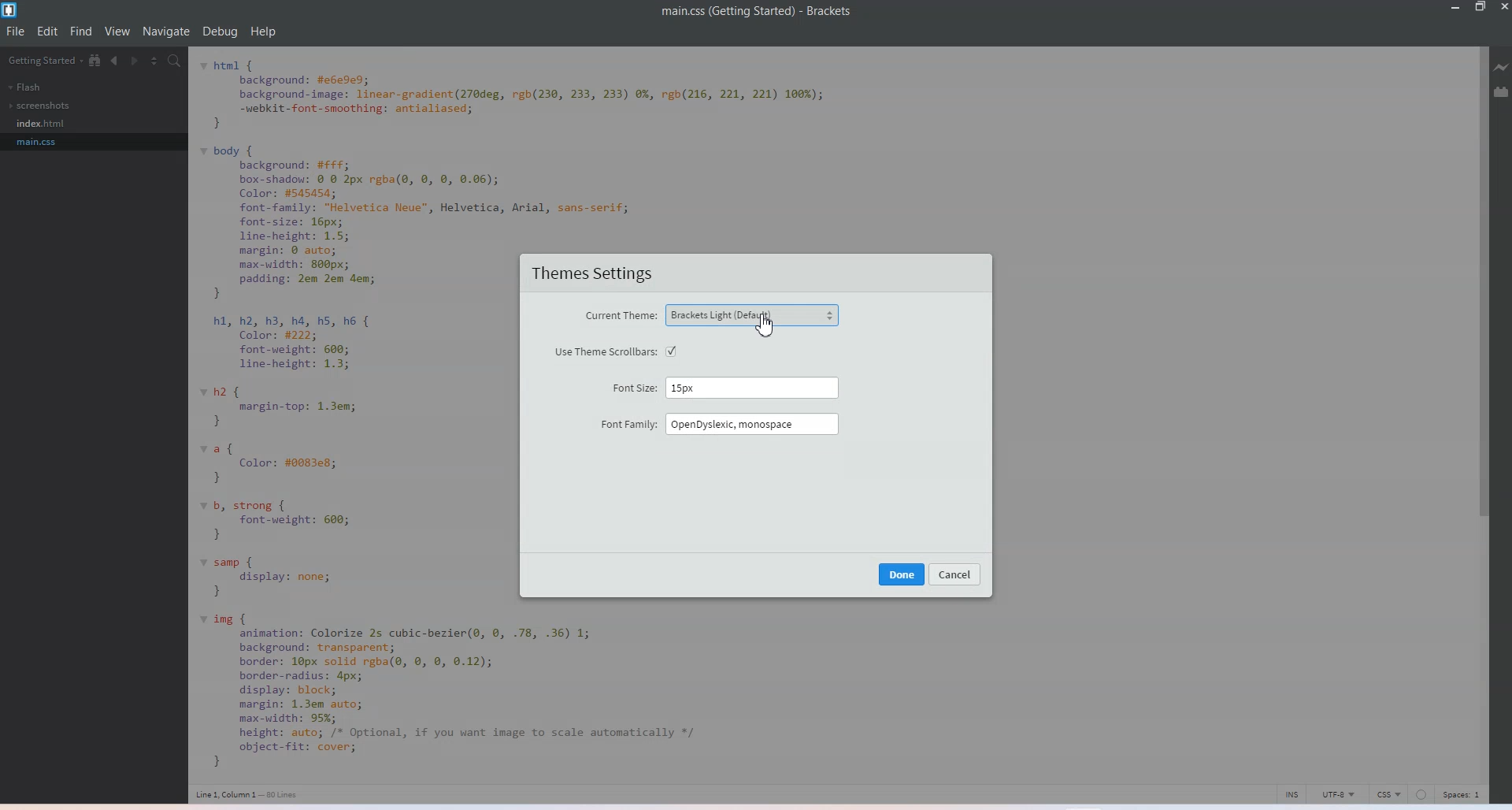  I want to click on Flash, so click(24, 87).